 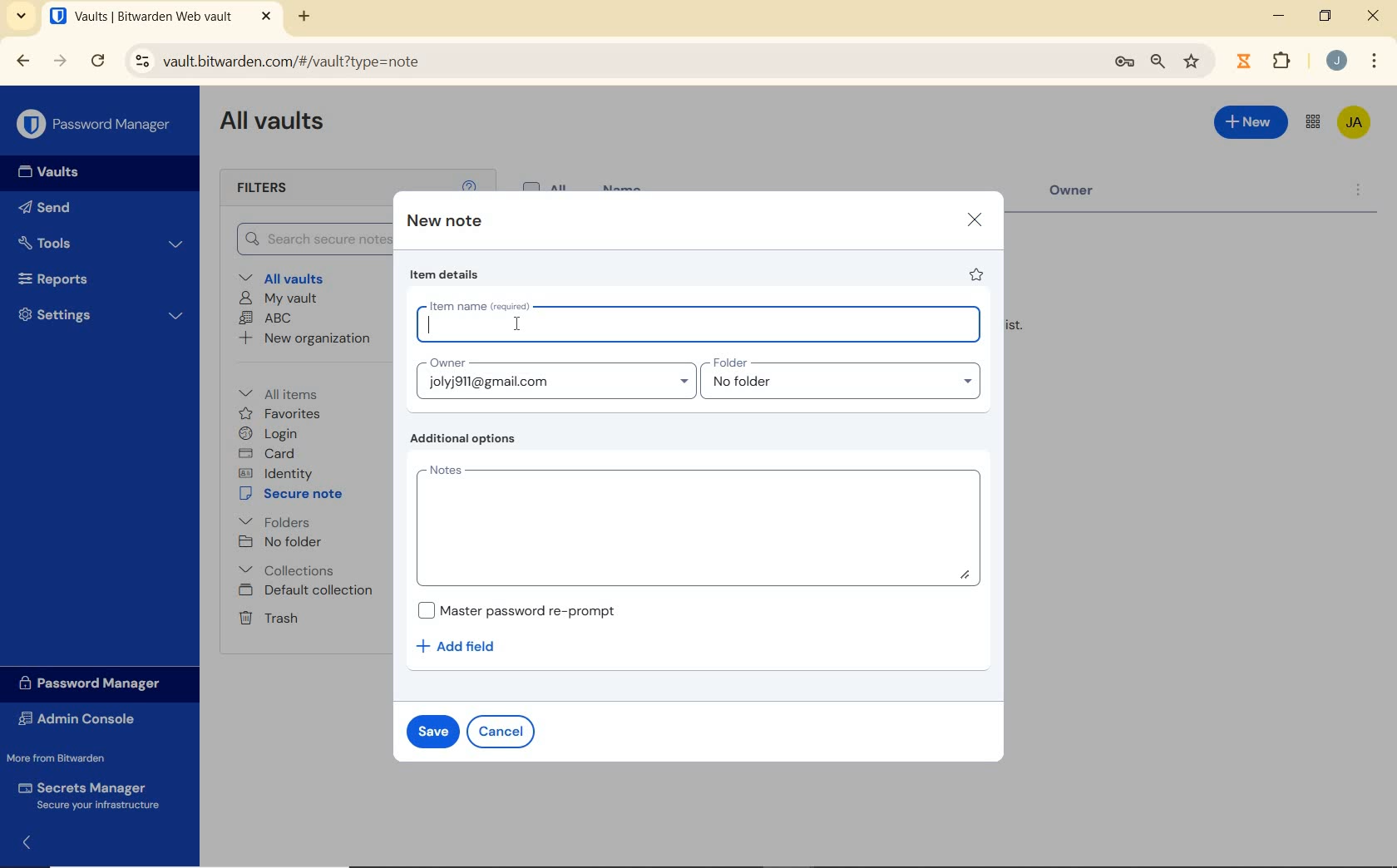 I want to click on Send, so click(x=50, y=206).